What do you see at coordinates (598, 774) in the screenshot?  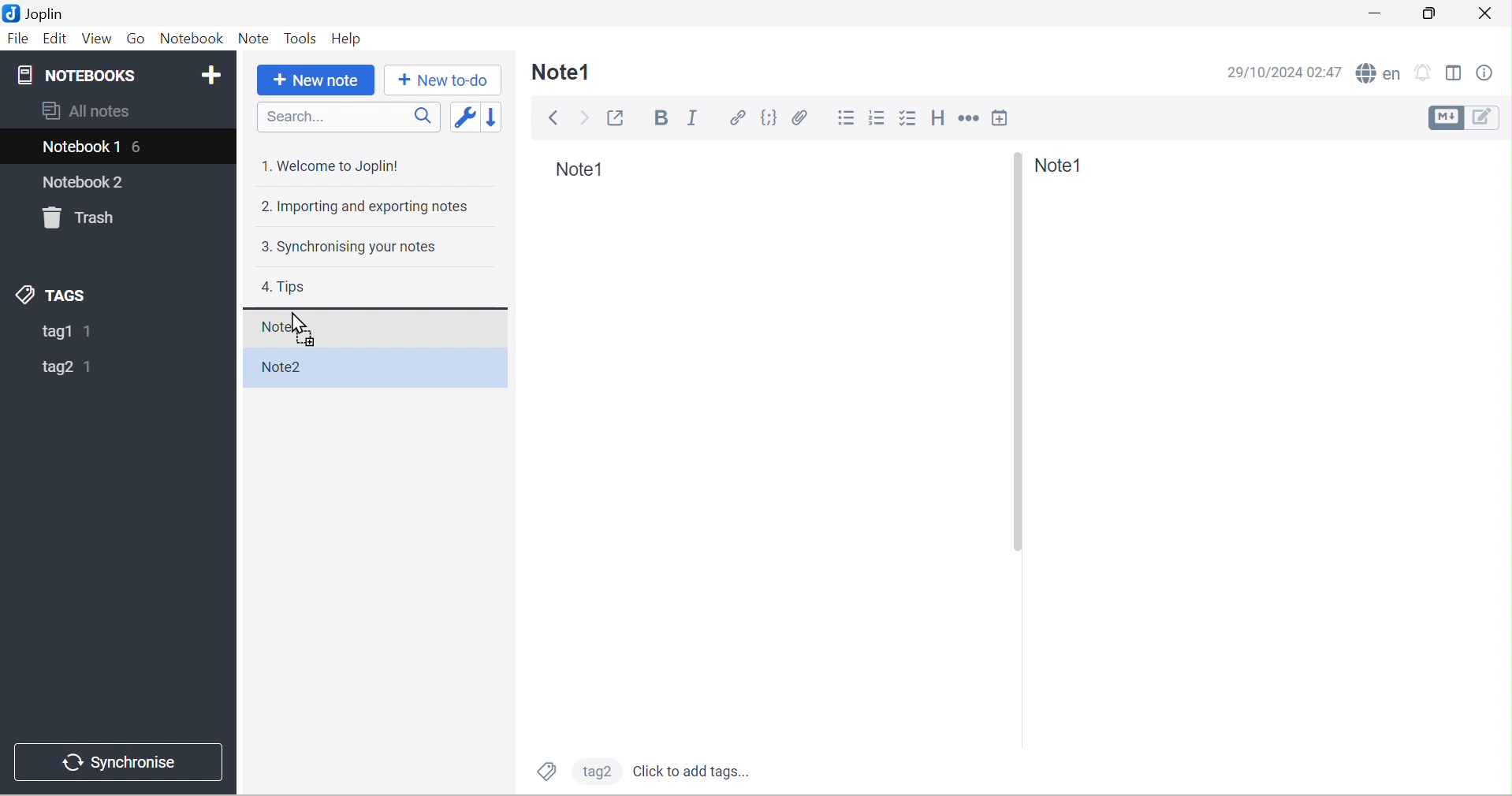 I see `tag2` at bounding box center [598, 774].